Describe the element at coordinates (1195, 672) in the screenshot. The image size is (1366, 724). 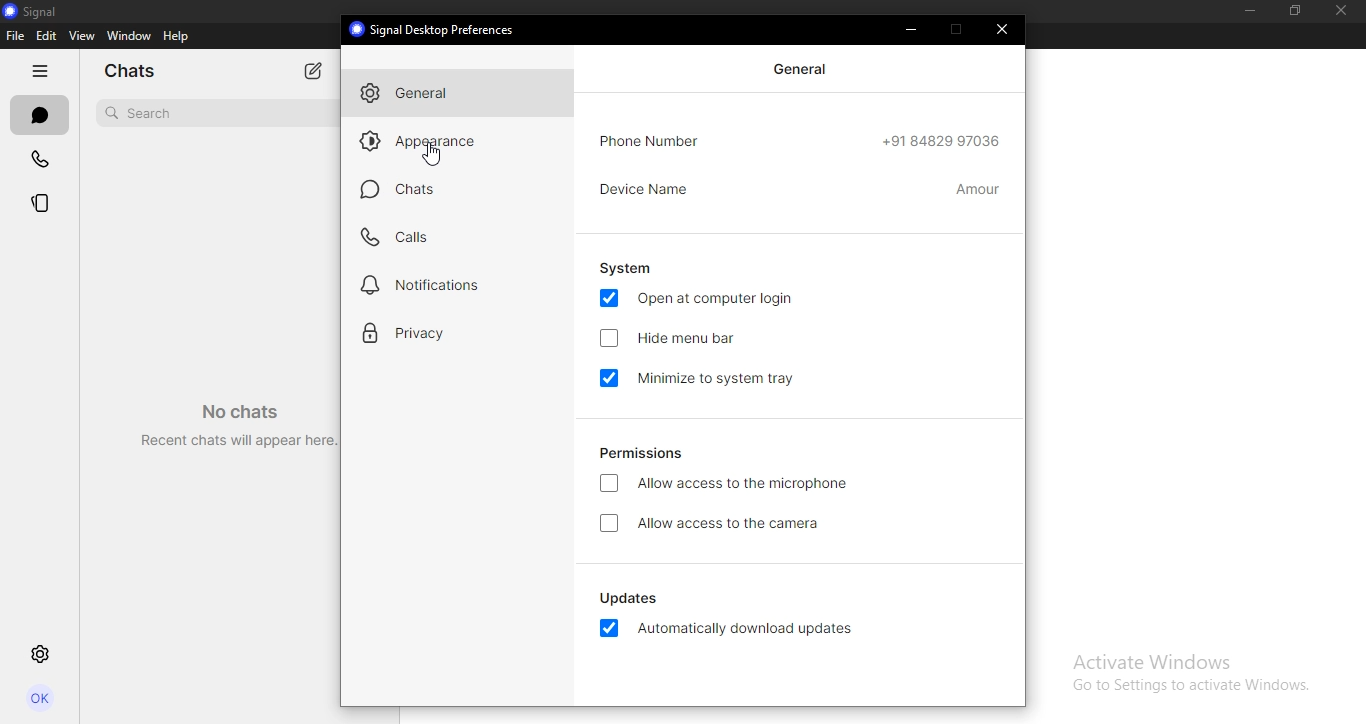
I see `Activate windows` at that location.